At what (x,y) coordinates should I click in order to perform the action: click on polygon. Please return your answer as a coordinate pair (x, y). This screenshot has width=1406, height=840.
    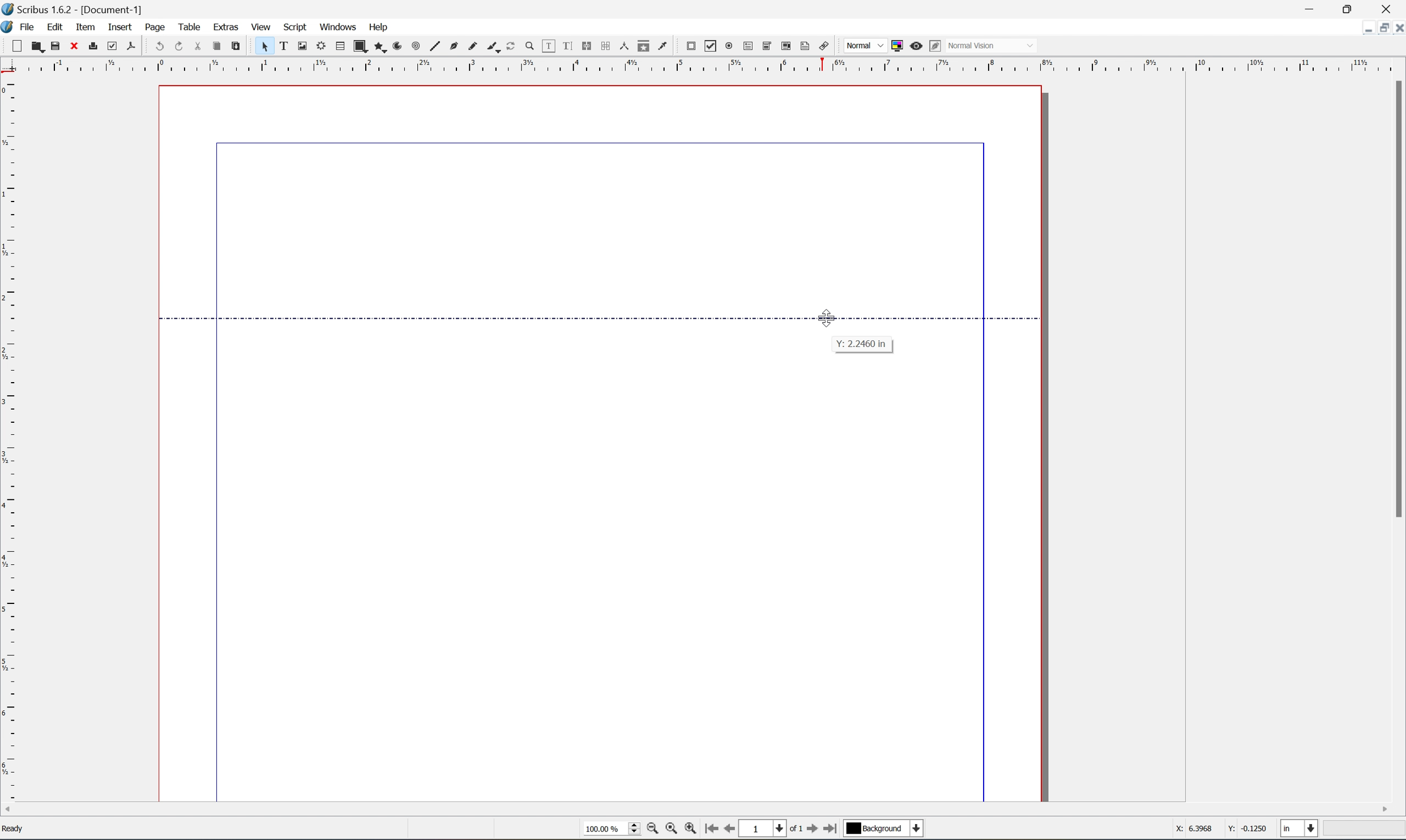
    Looking at the image, I should click on (378, 46).